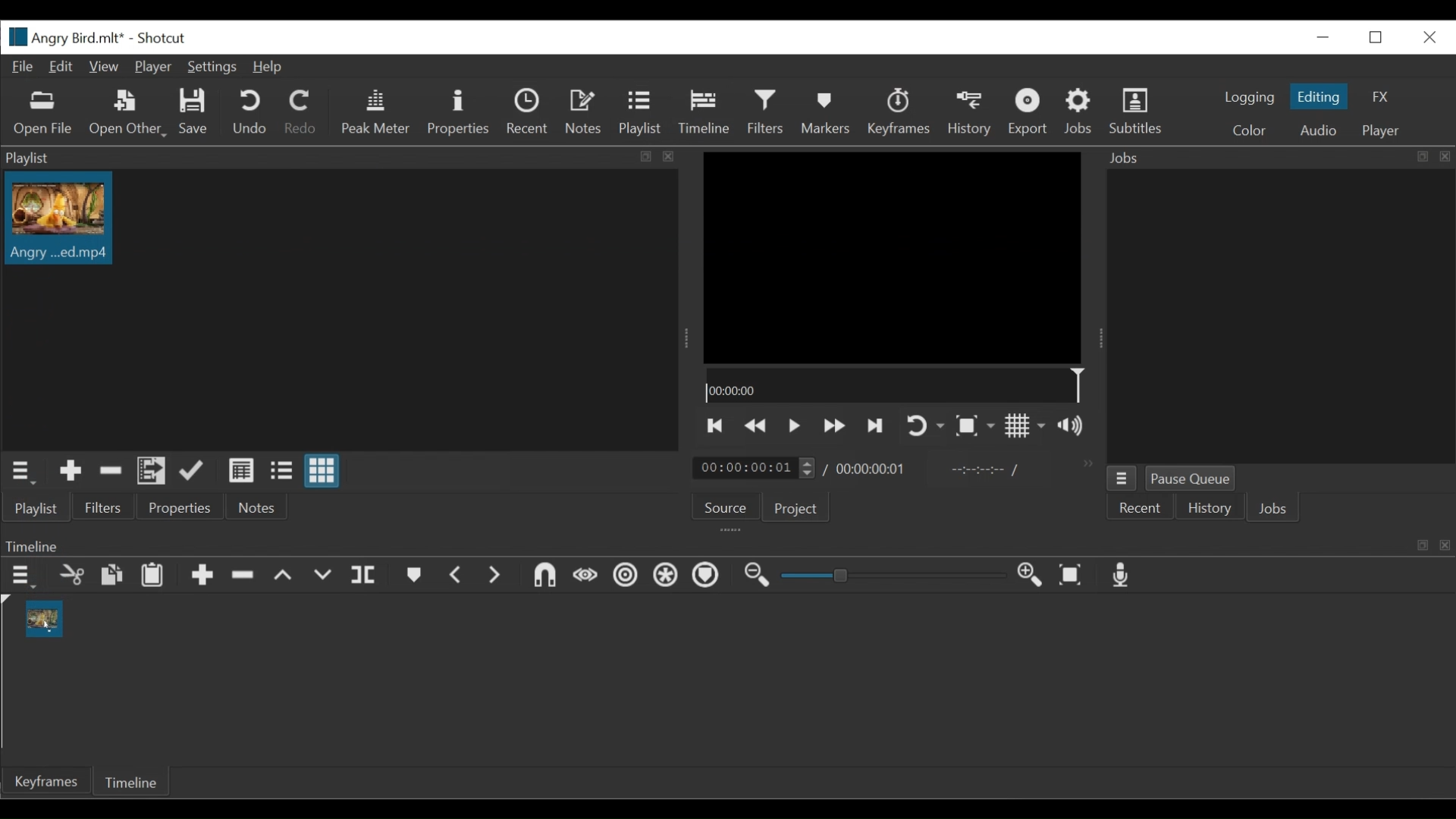 The image size is (1456, 819). Describe the element at coordinates (249, 113) in the screenshot. I see `Undo` at that location.